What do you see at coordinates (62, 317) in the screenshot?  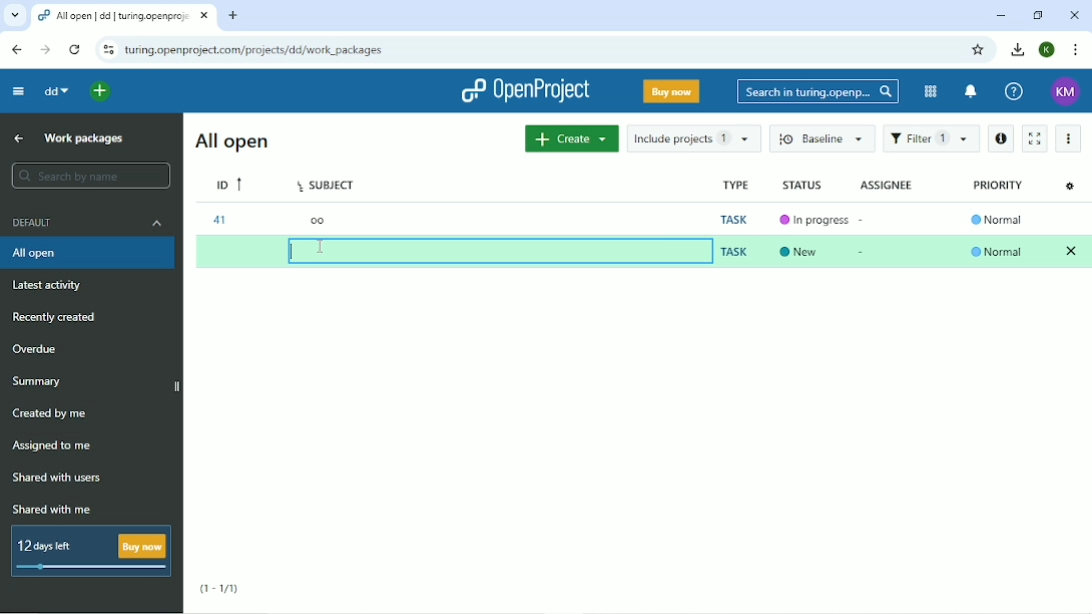 I see `Recently created` at bounding box center [62, 317].